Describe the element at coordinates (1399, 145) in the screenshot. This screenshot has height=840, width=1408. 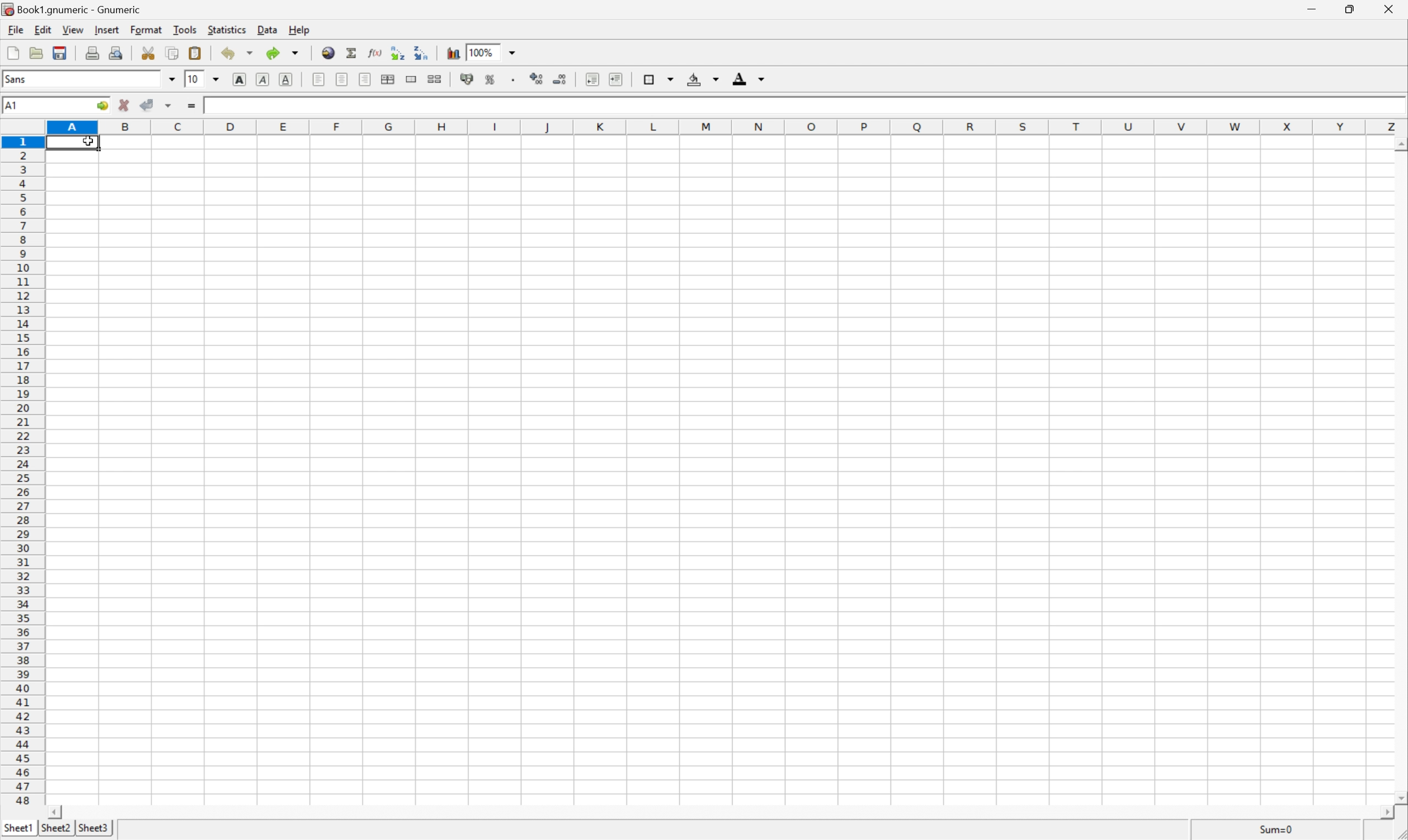
I see `scroll up` at that location.